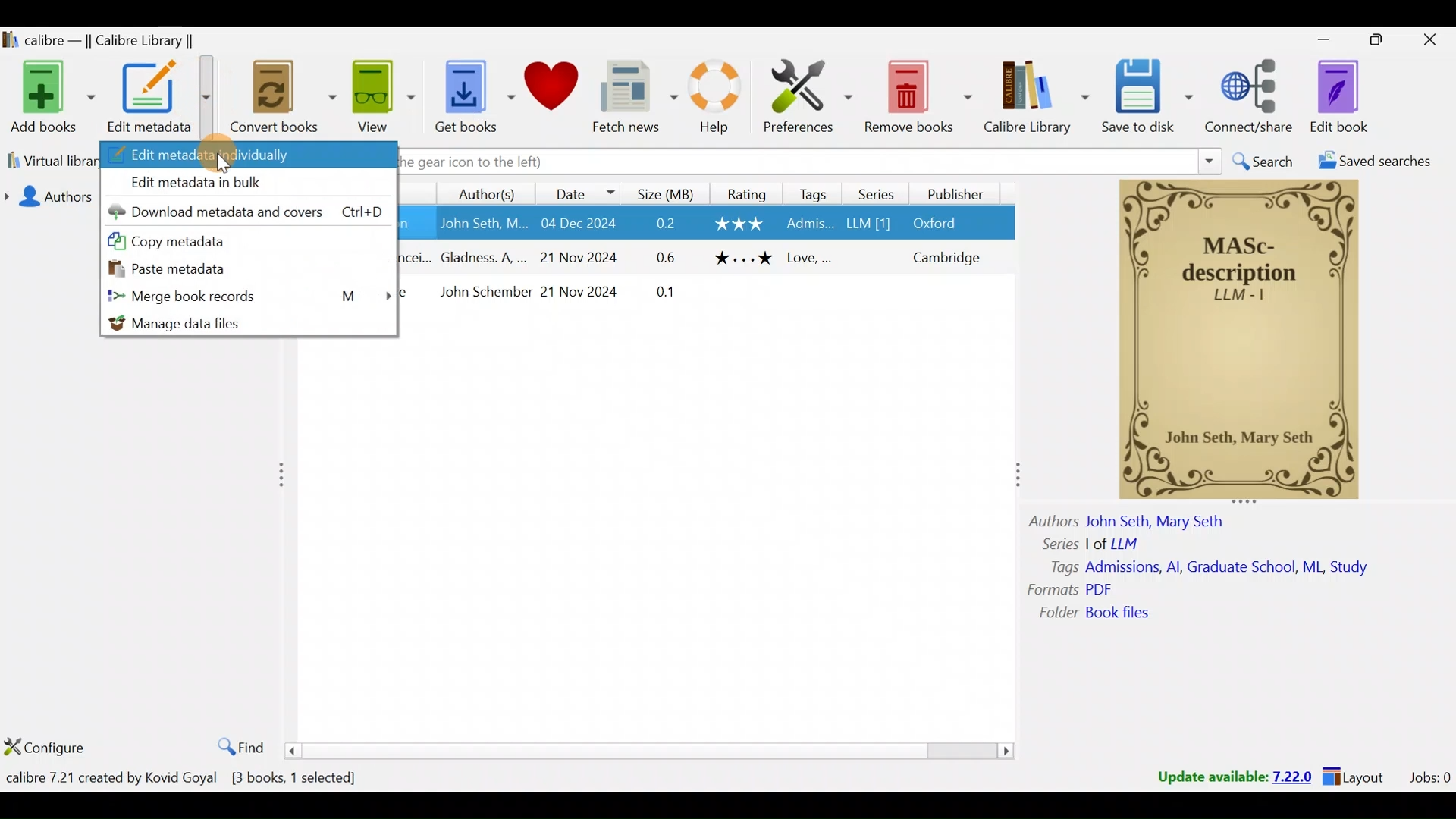 This screenshot has height=819, width=1456. Describe the element at coordinates (485, 259) in the screenshot. I see `` at that location.